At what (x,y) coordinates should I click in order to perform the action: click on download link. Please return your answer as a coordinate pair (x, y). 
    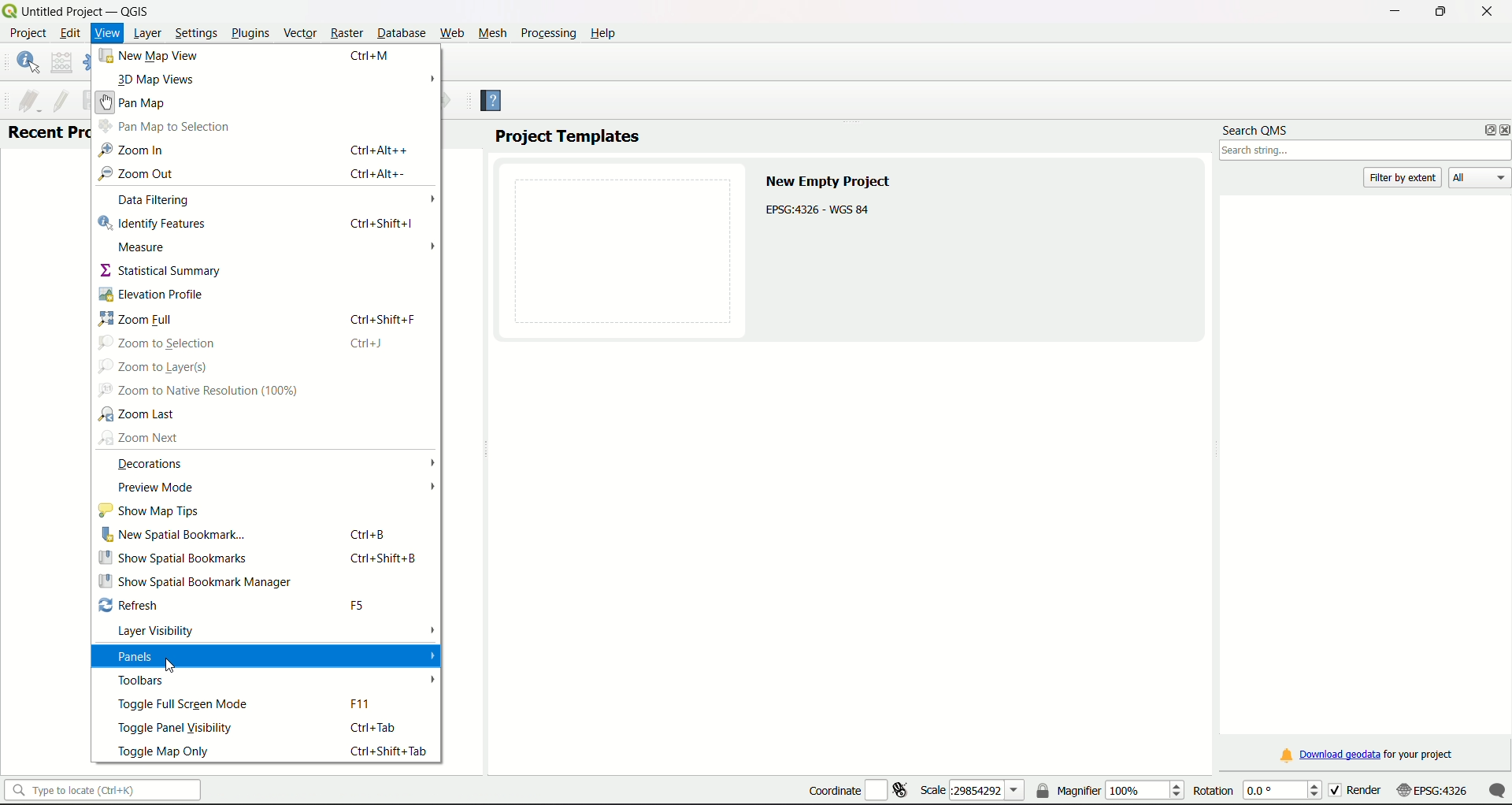
    Looking at the image, I should click on (1366, 755).